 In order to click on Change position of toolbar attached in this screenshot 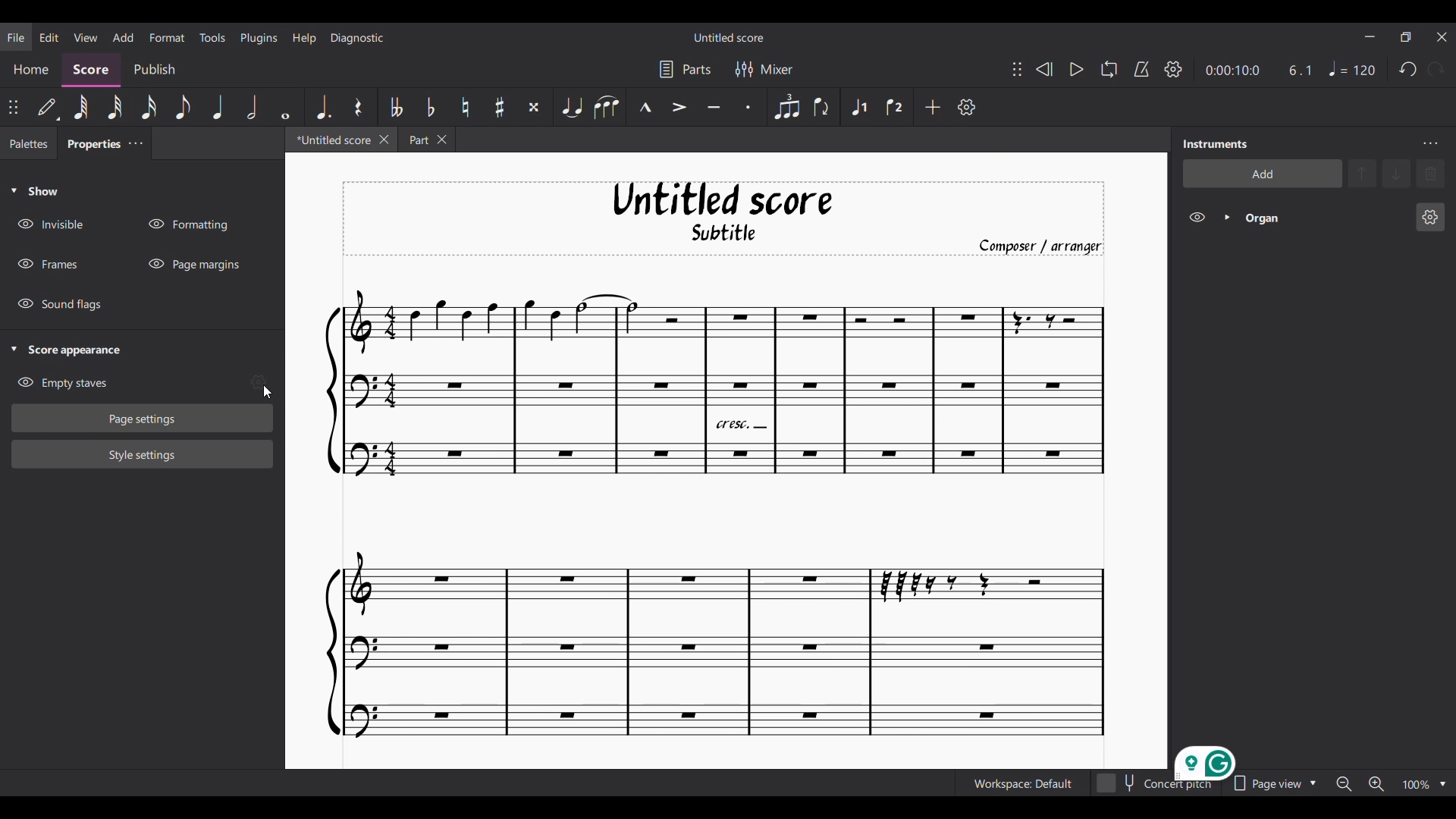, I will do `click(12, 107)`.